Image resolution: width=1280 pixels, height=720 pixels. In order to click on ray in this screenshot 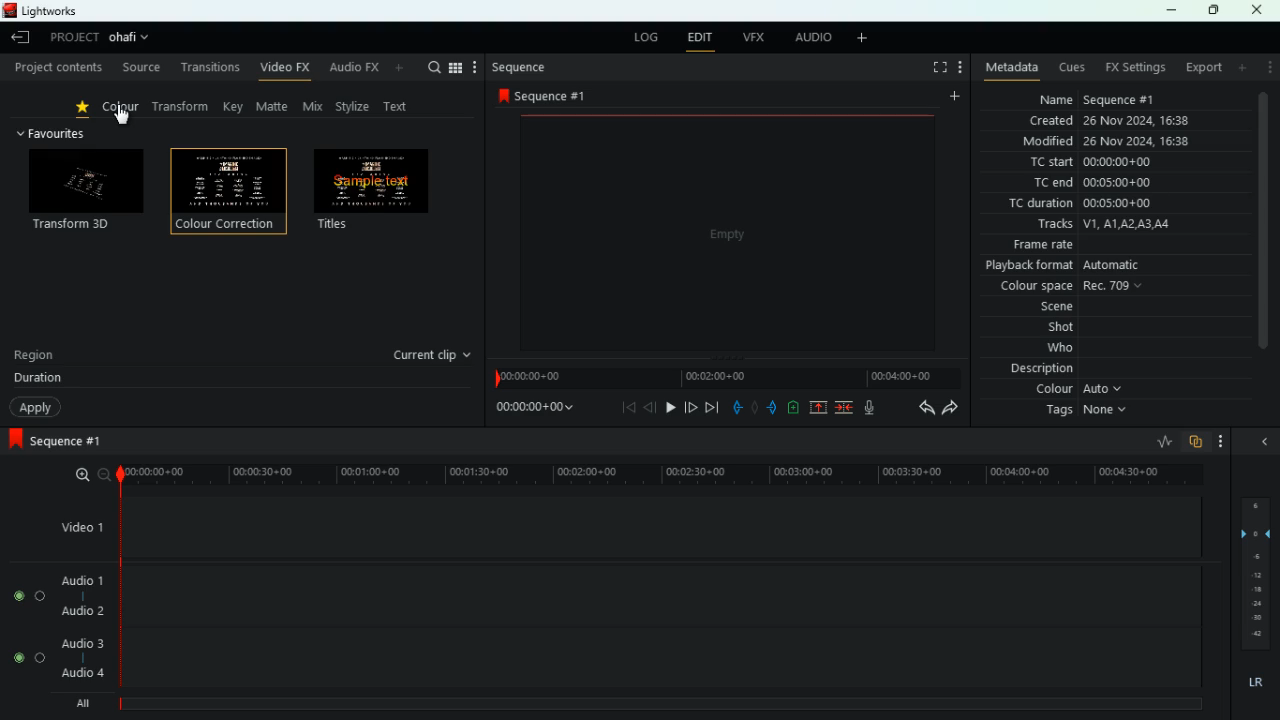, I will do `click(1162, 441)`.